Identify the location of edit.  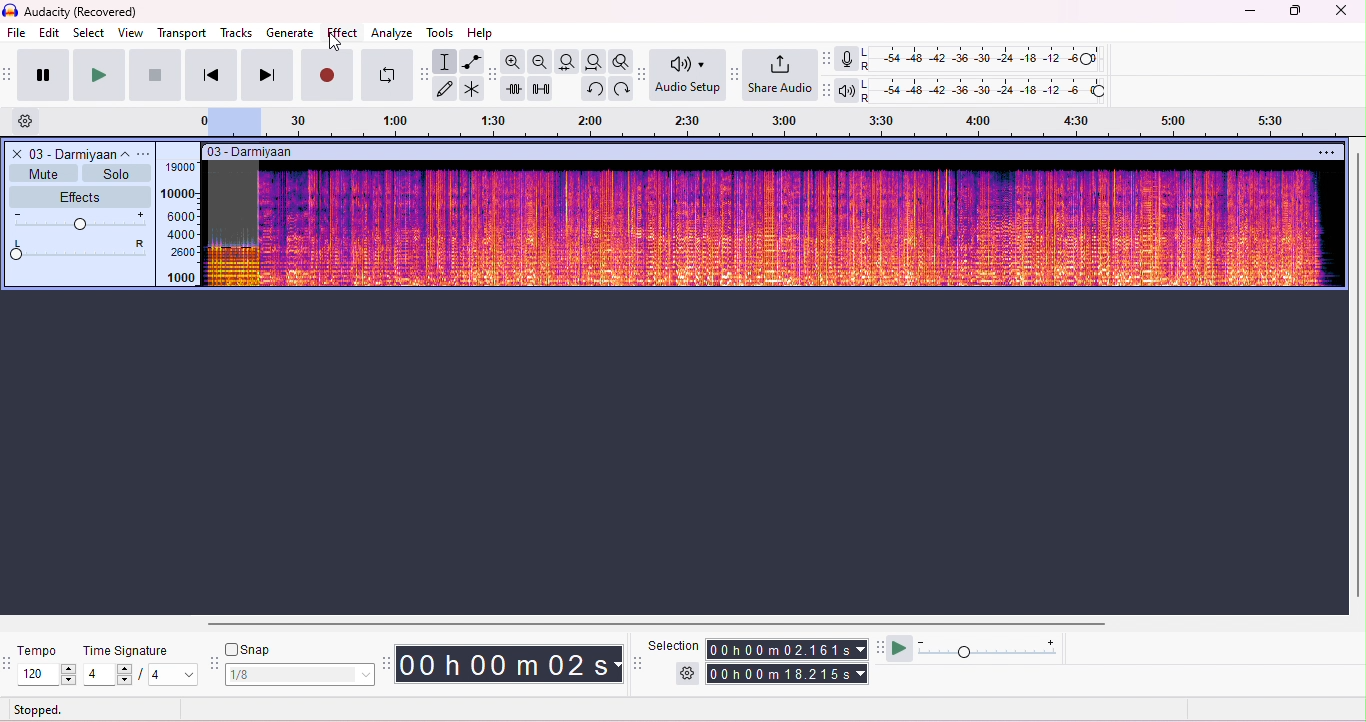
(50, 34).